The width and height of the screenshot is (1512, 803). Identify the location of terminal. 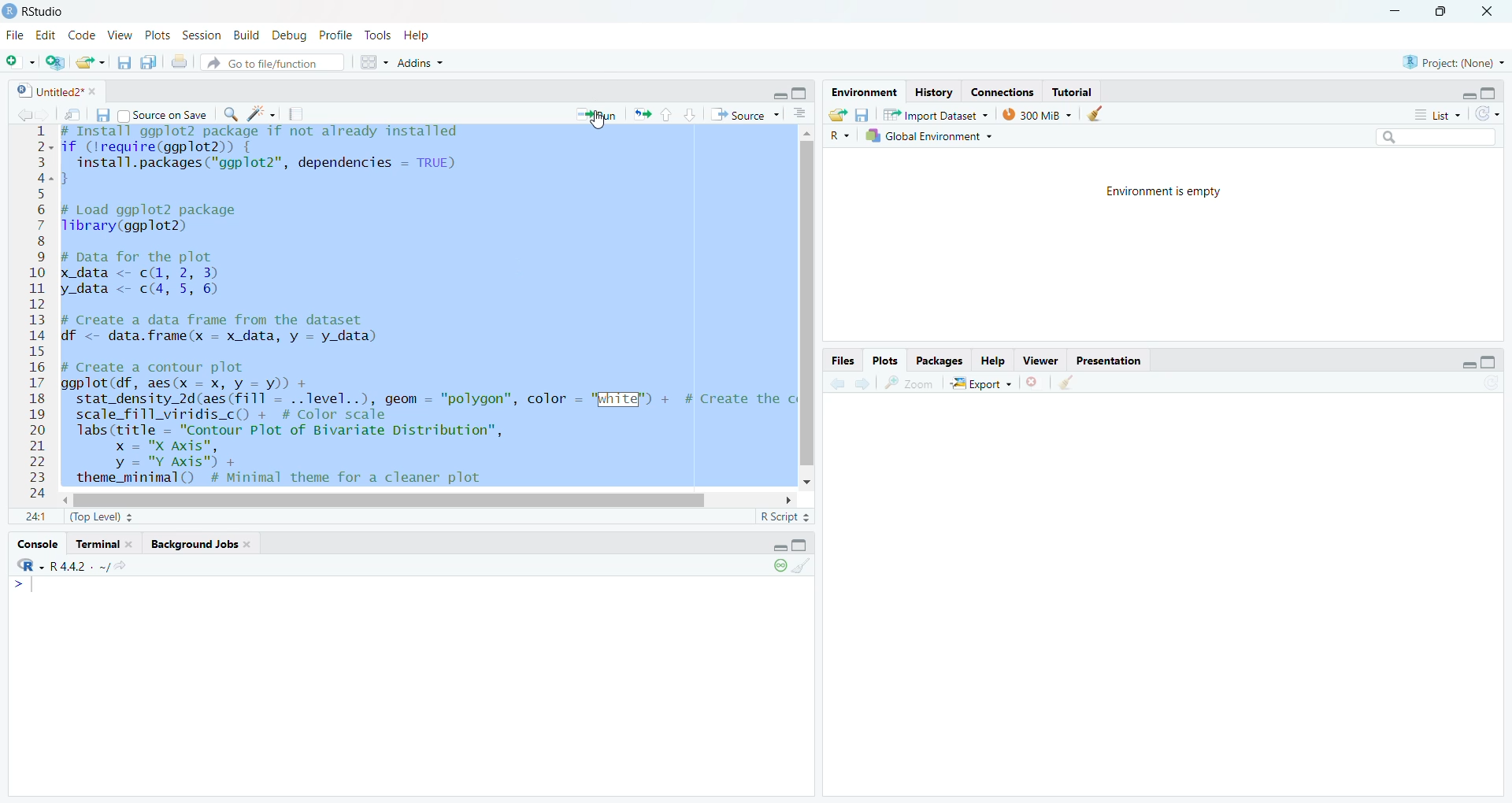
(103, 546).